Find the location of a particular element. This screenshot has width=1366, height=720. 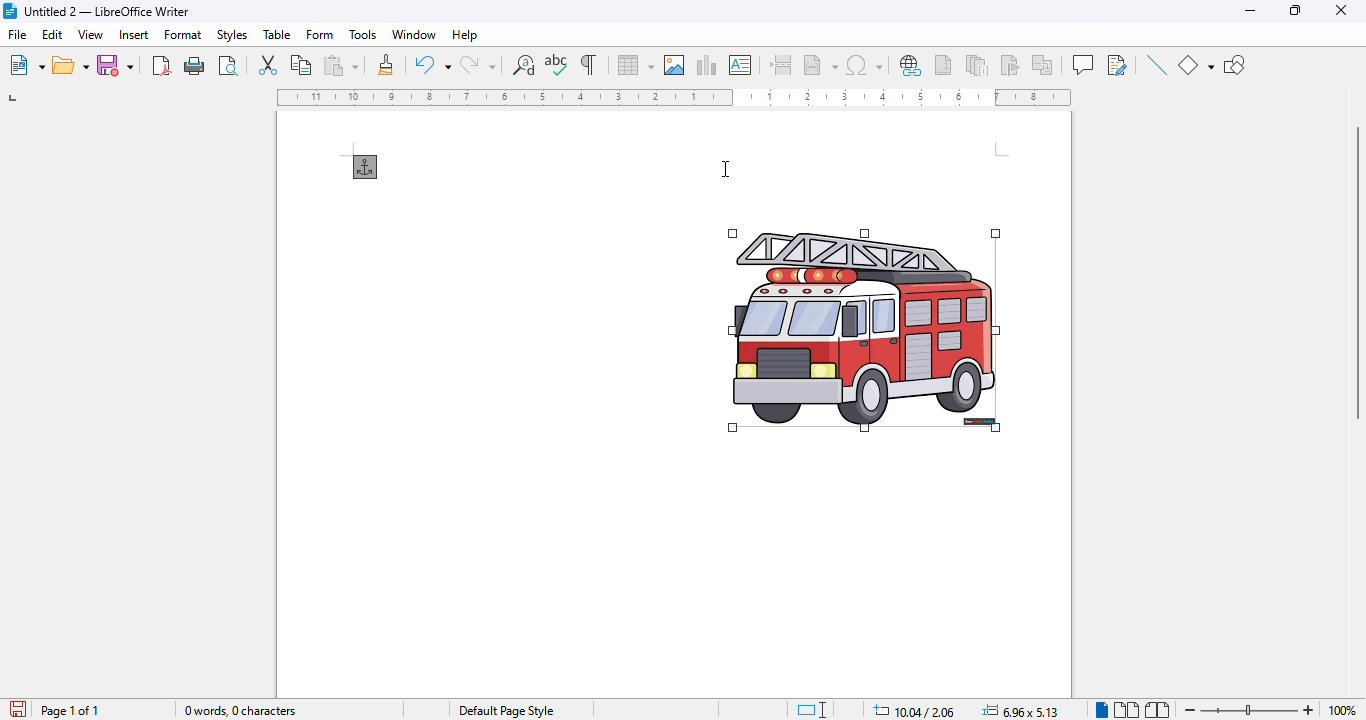

tools is located at coordinates (363, 35).